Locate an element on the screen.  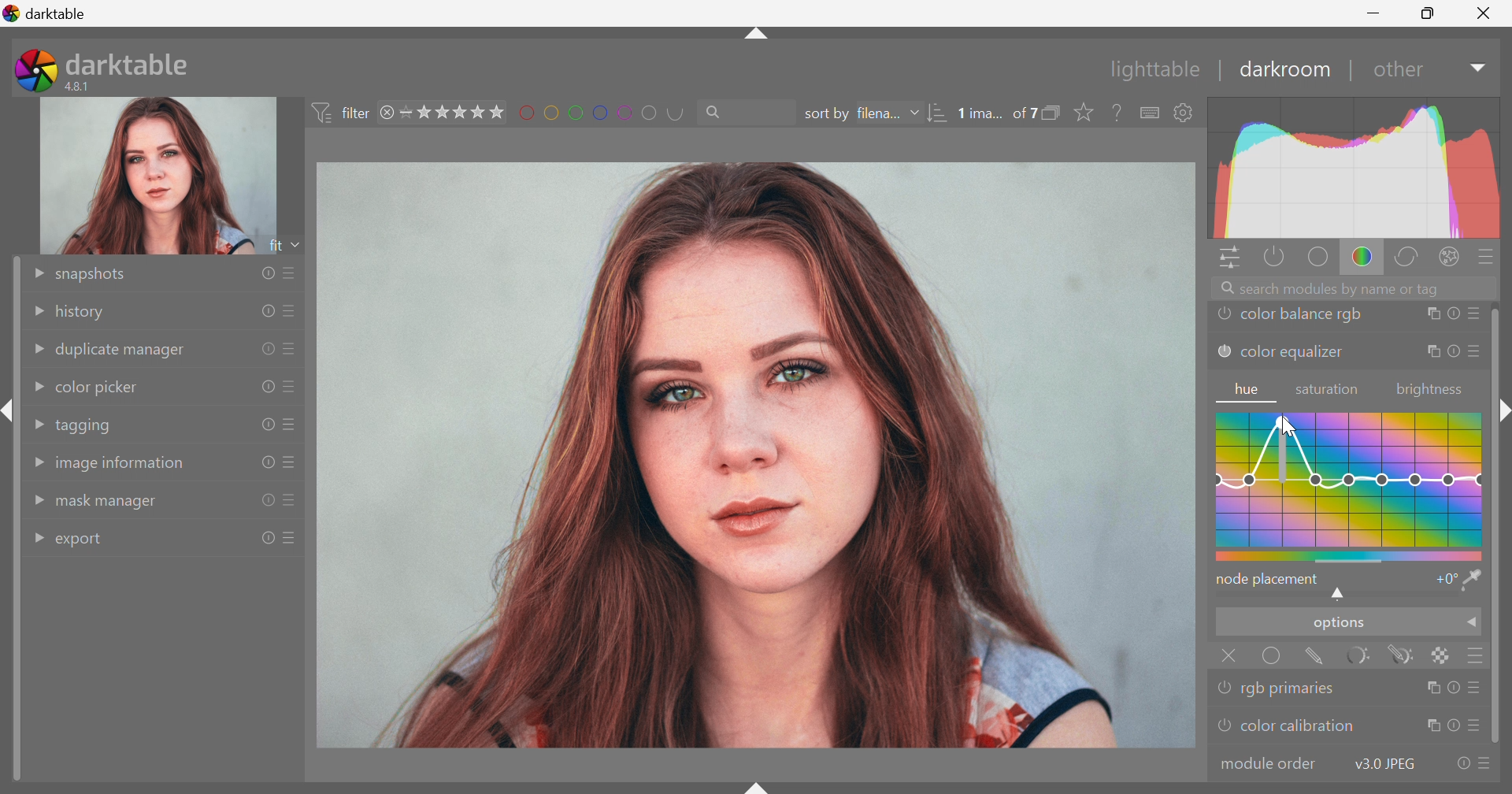
blending options is located at coordinates (1480, 655).